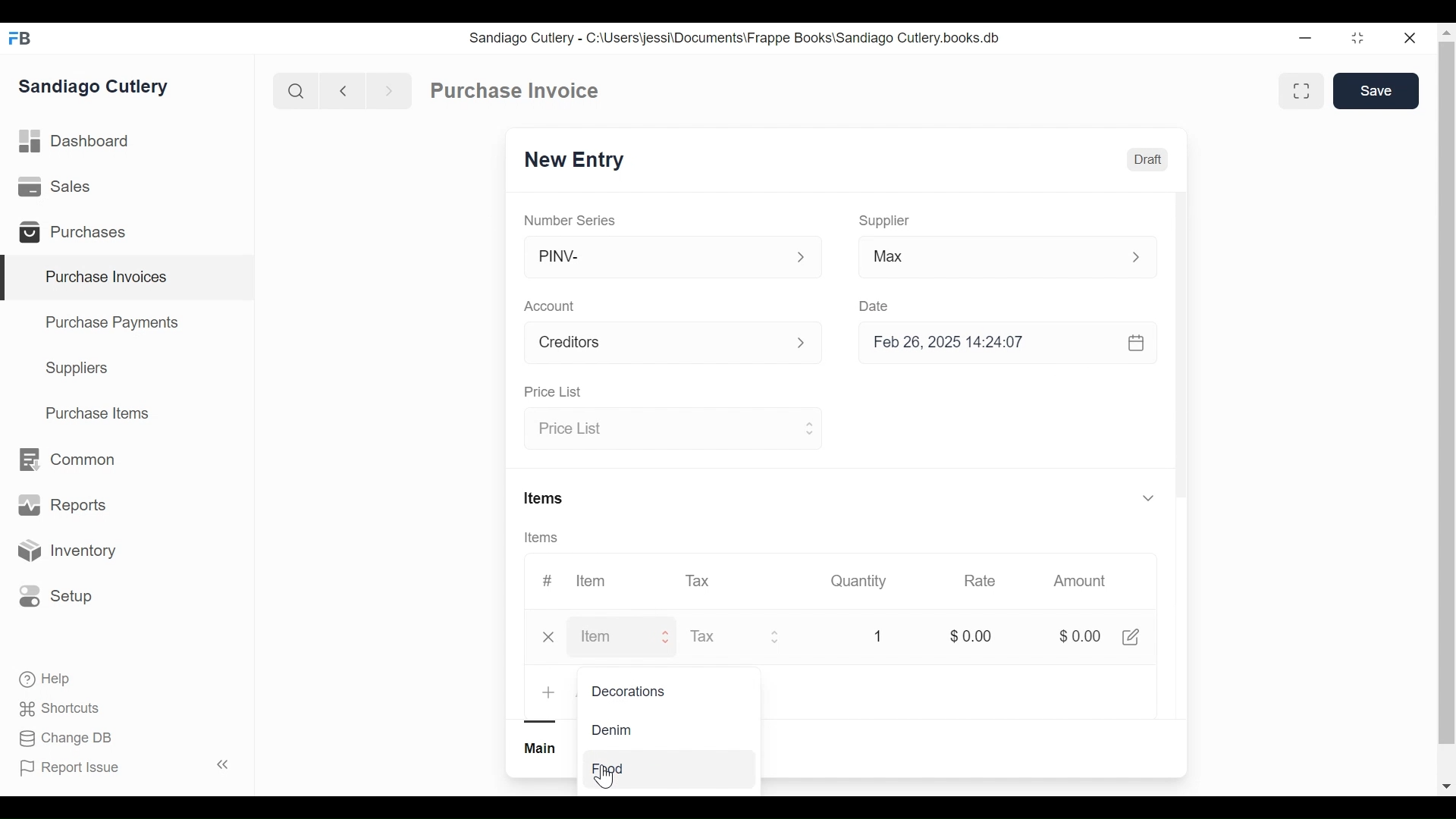  I want to click on Search, so click(296, 90).